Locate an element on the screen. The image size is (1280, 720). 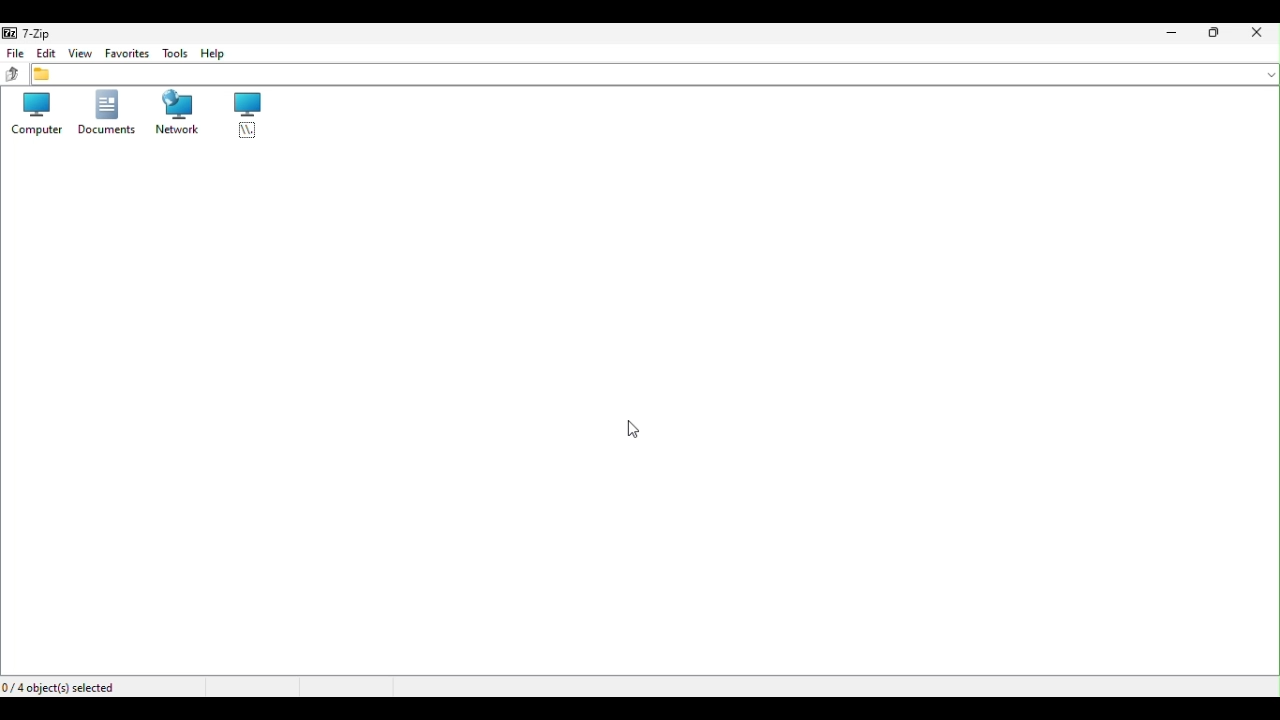
Edit is located at coordinates (43, 52).